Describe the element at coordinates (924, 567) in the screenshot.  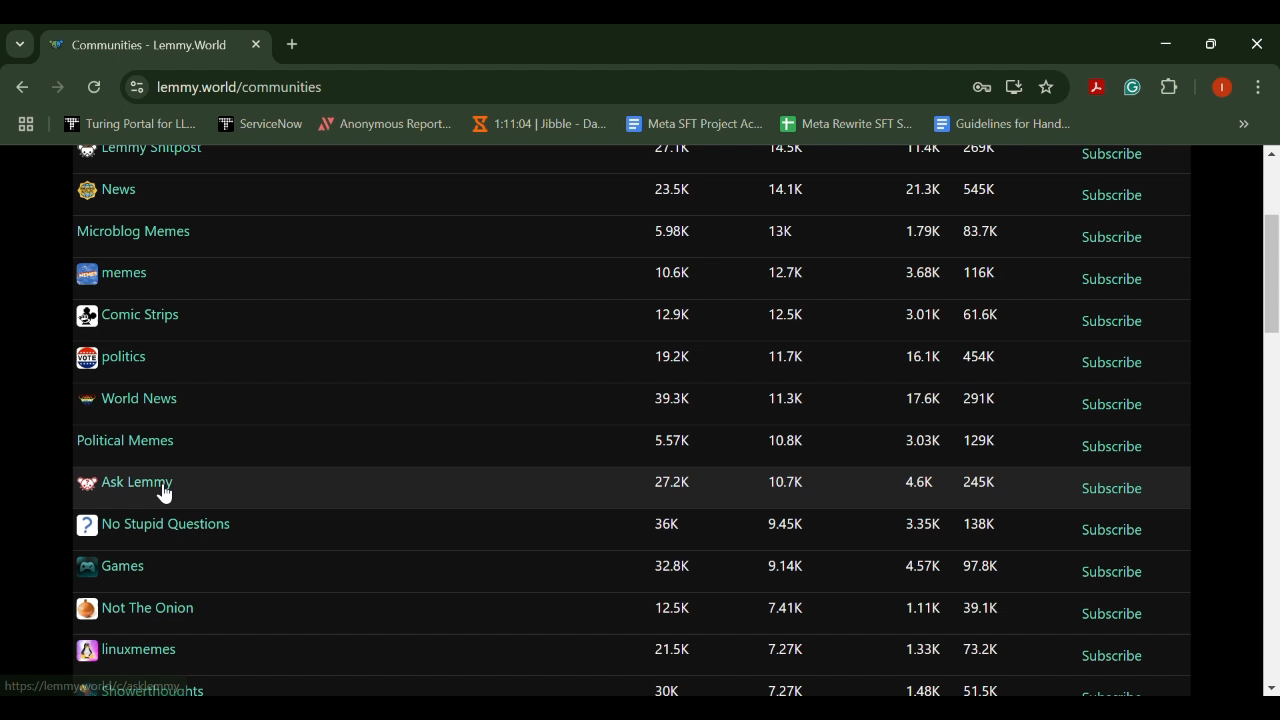
I see `4.57K` at that location.